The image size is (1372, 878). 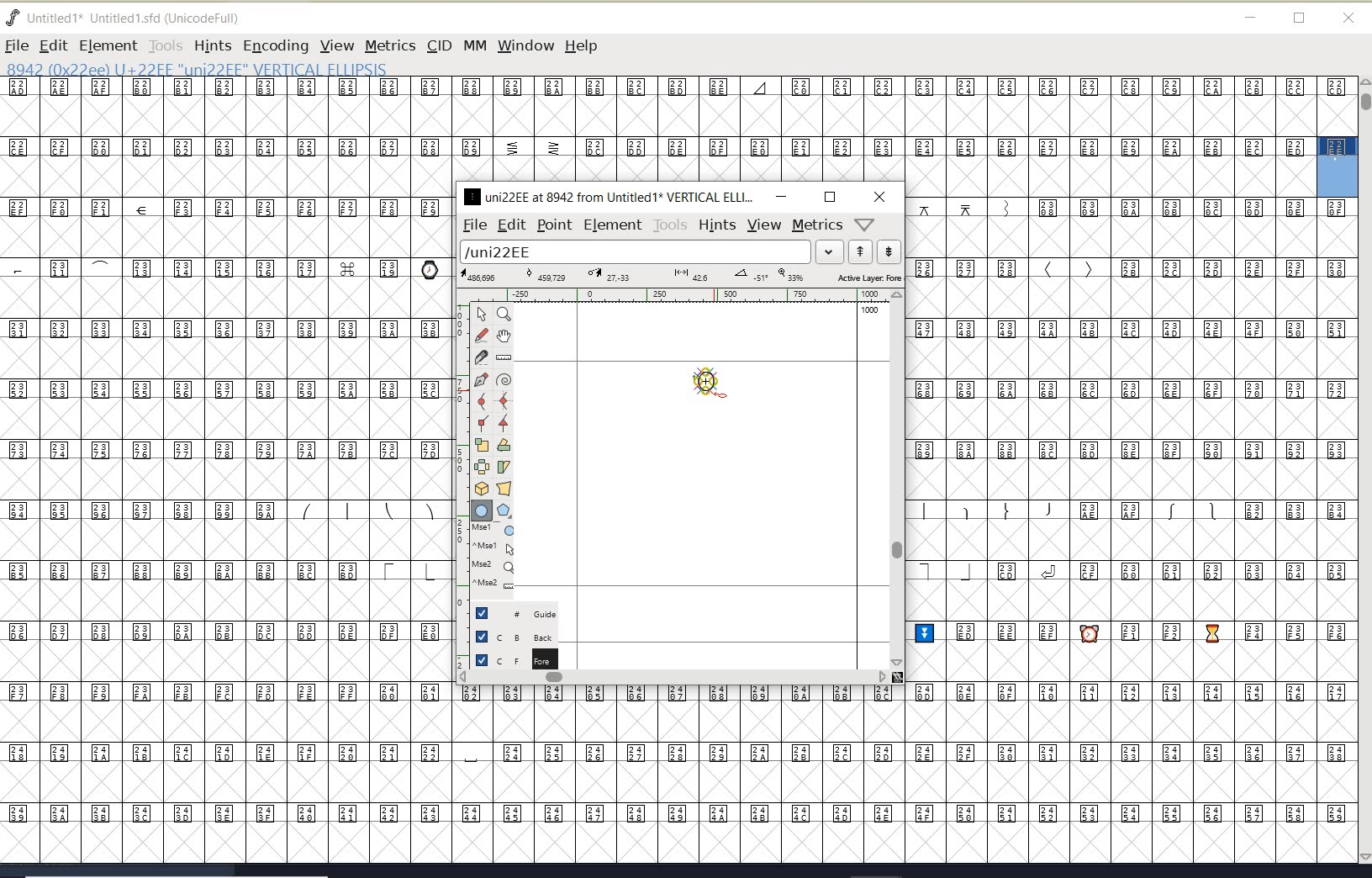 What do you see at coordinates (1251, 18) in the screenshot?
I see `minimize` at bounding box center [1251, 18].